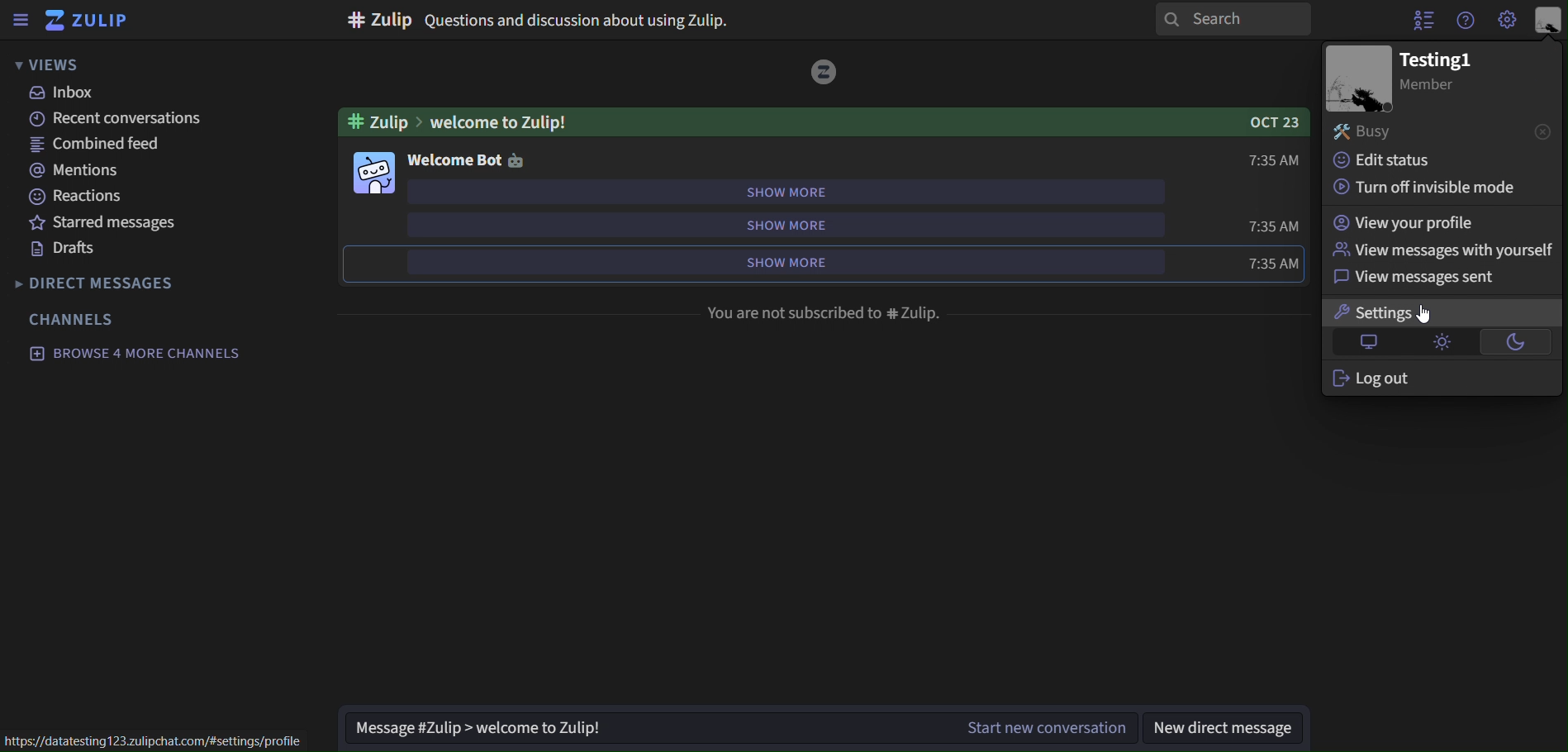  I want to click on settings, so click(1442, 312).